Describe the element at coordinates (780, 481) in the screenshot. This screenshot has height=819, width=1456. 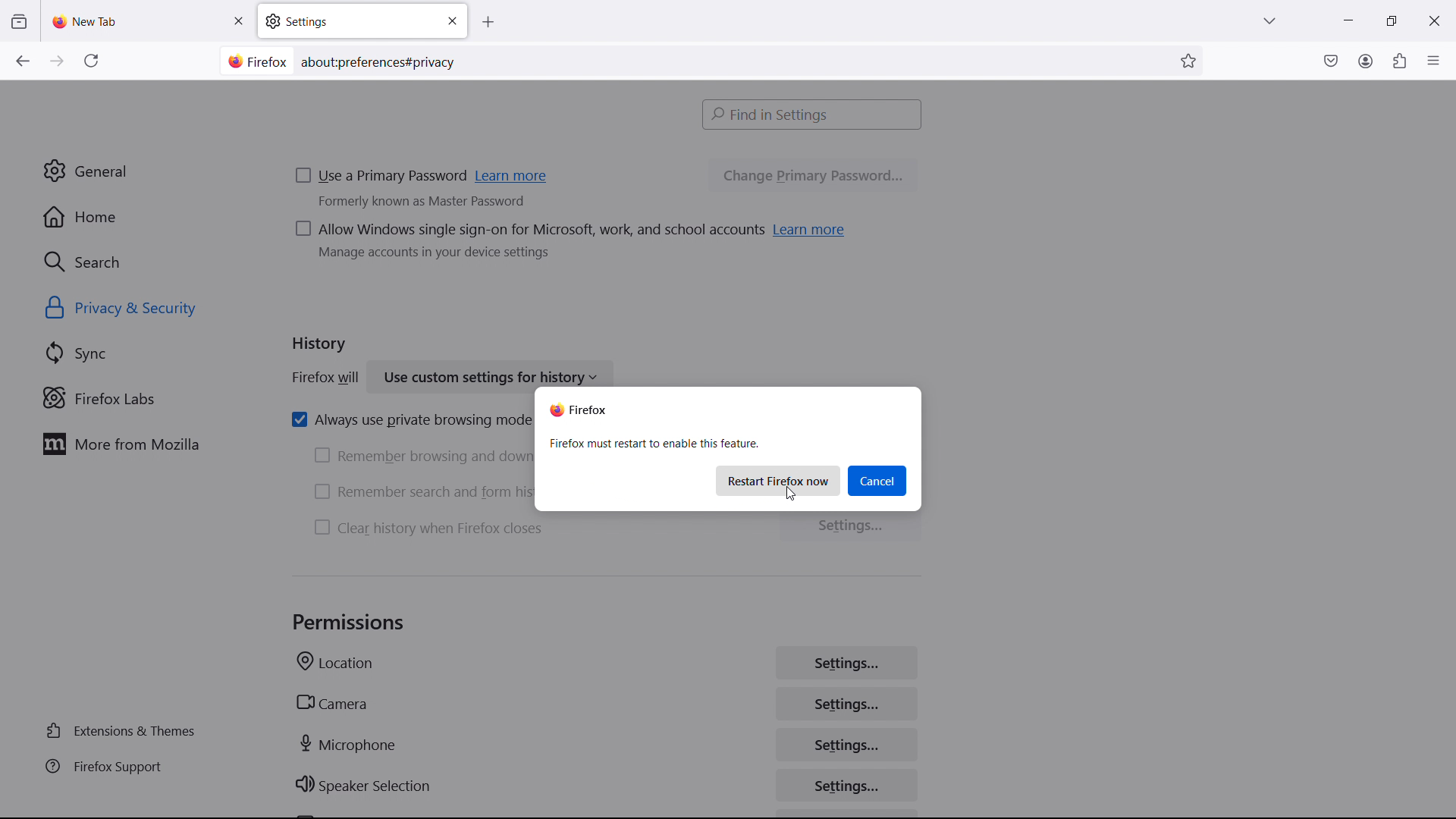
I see `restart firefox now` at that location.